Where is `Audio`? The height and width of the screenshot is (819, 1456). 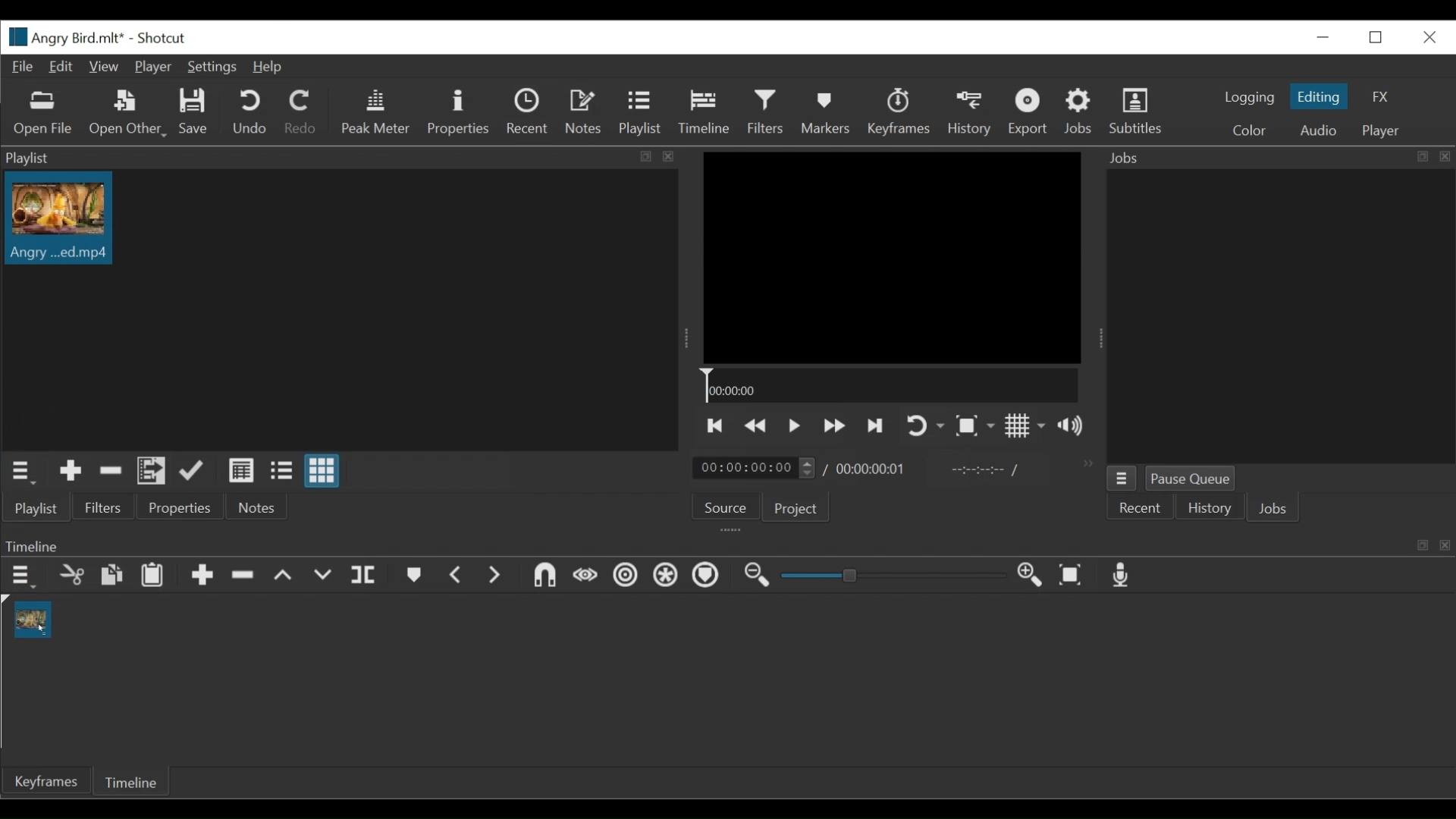 Audio is located at coordinates (1317, 130).